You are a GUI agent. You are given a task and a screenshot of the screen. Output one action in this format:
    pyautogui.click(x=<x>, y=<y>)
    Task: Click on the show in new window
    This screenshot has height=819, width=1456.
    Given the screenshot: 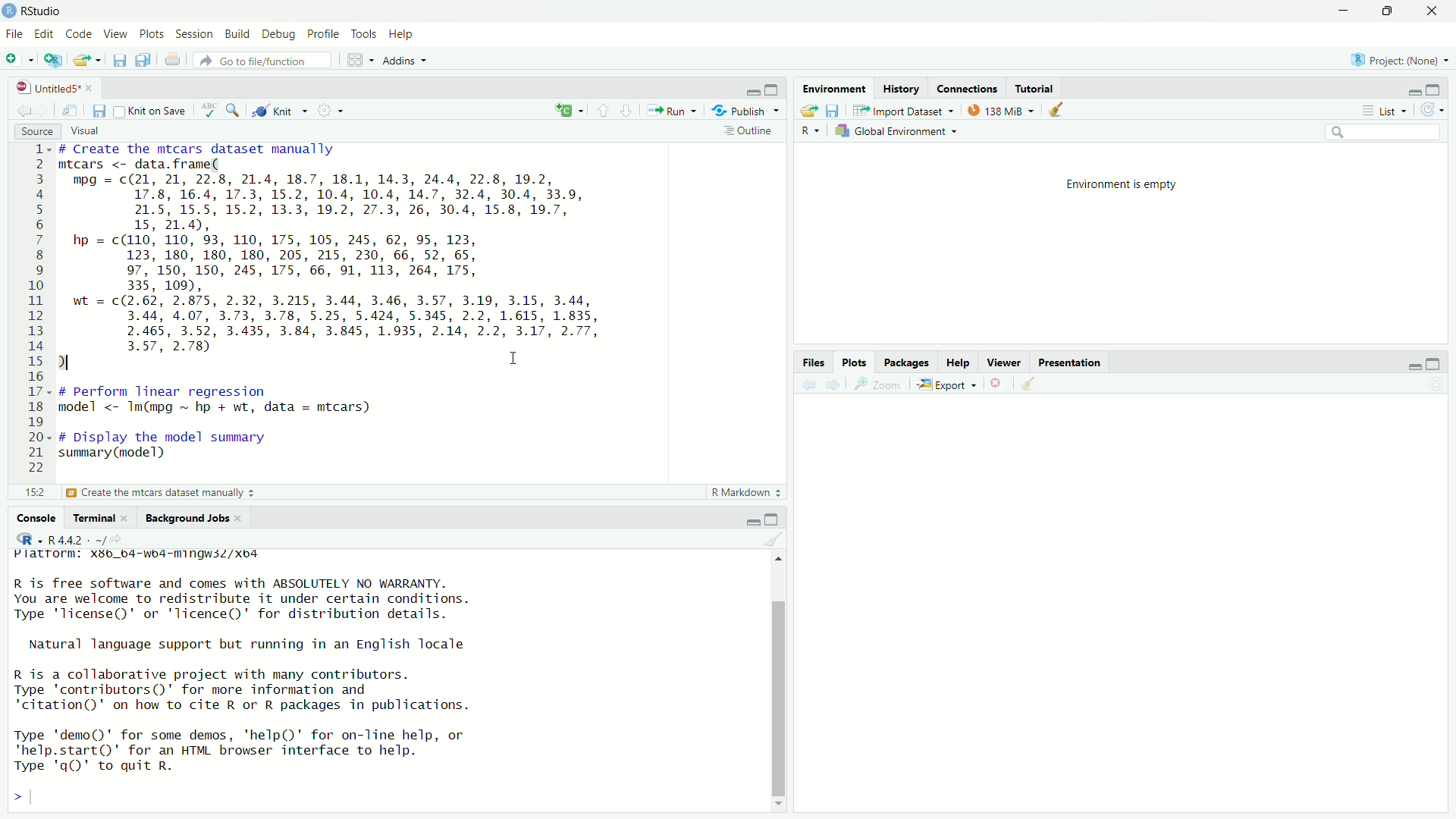 What is the action you would take?
    pyautogui.click(x=67, y=112)
    